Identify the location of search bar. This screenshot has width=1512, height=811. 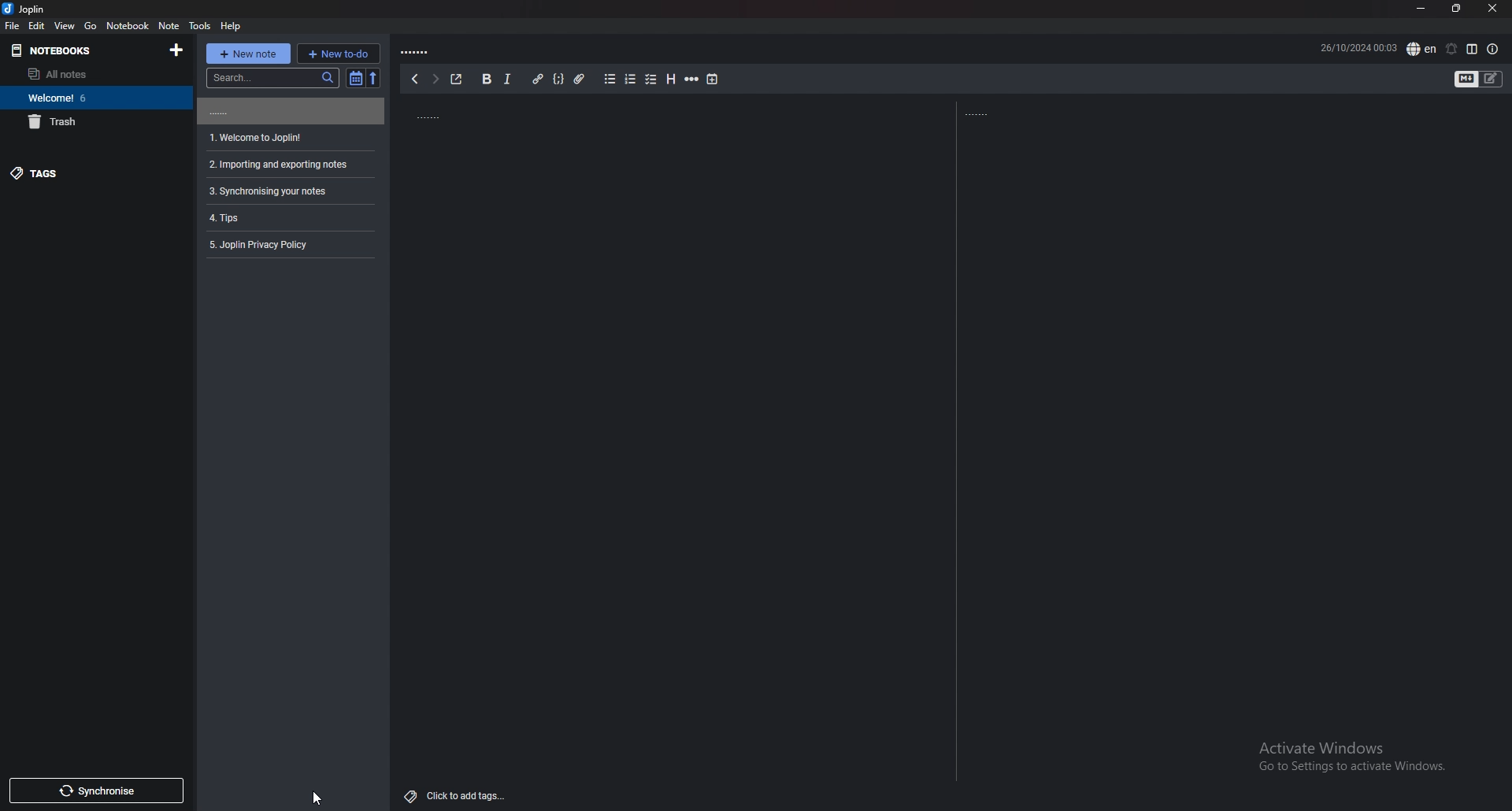
(272, 77).